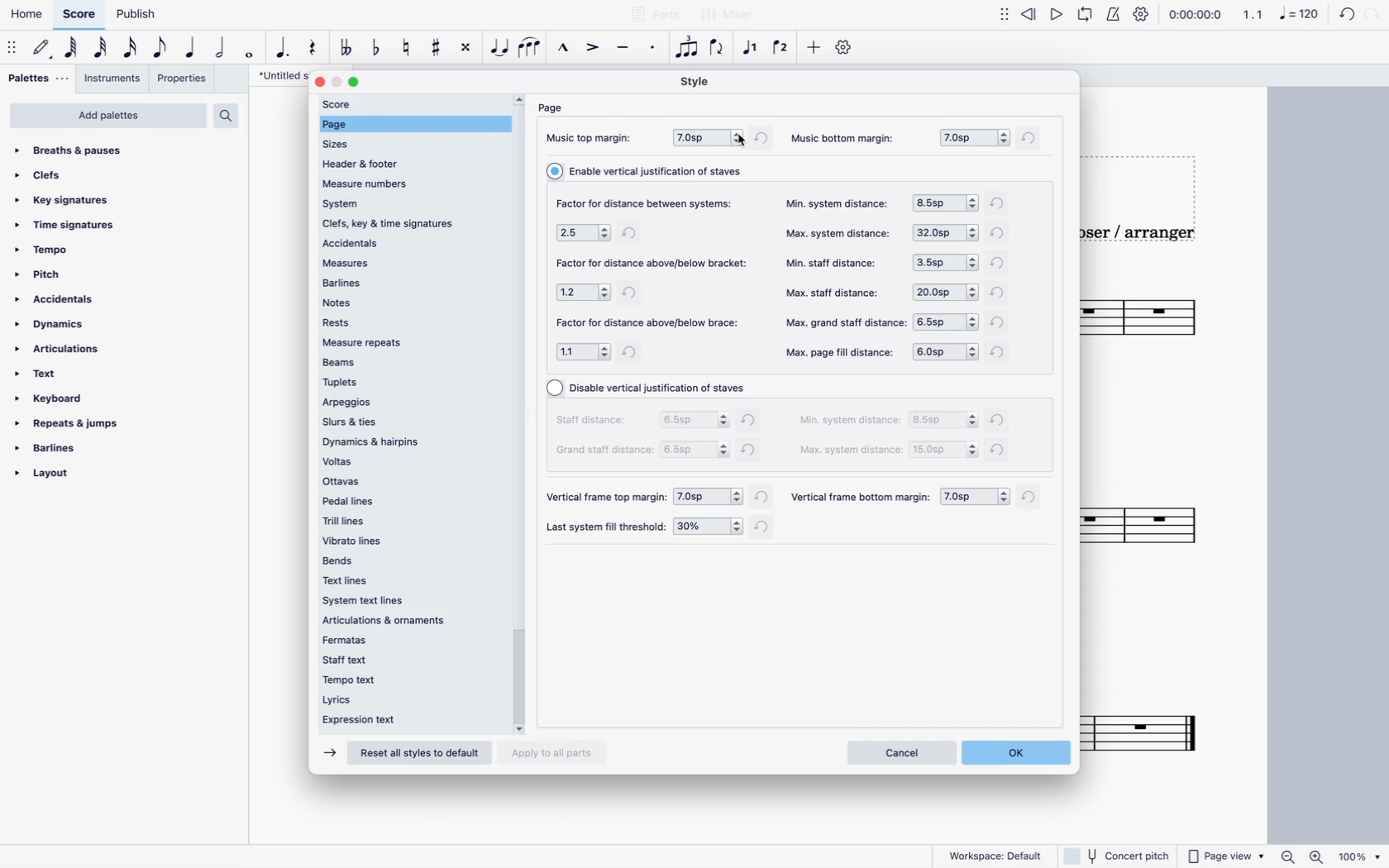 Image resolution: width=1389 pixels, height=868 pixels. Describe the element at coordinates (842, 324) in the screenshot. I see `max grand staff distance` at that location.